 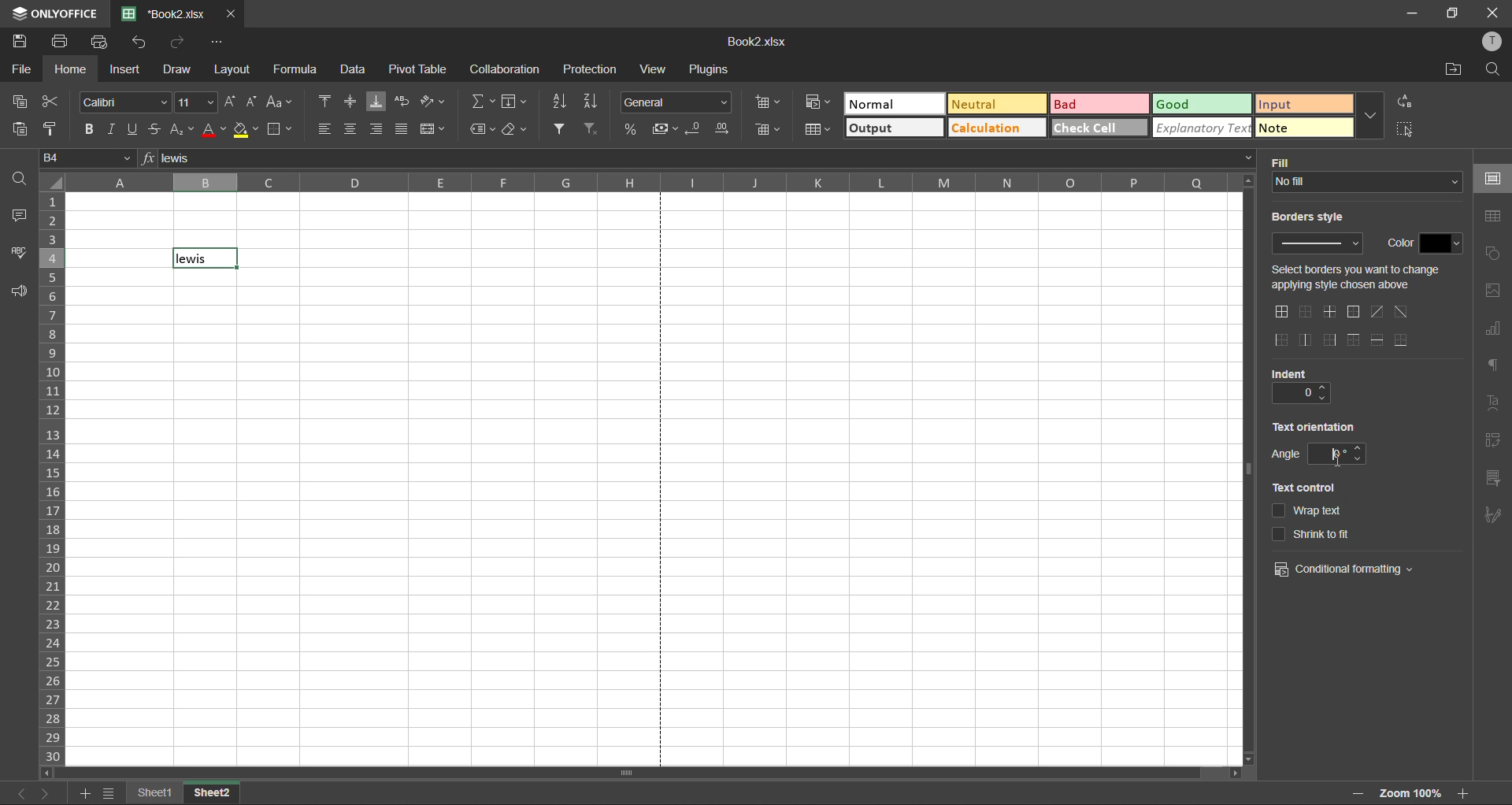 I want to click on fields, so click(x=516, y=102).